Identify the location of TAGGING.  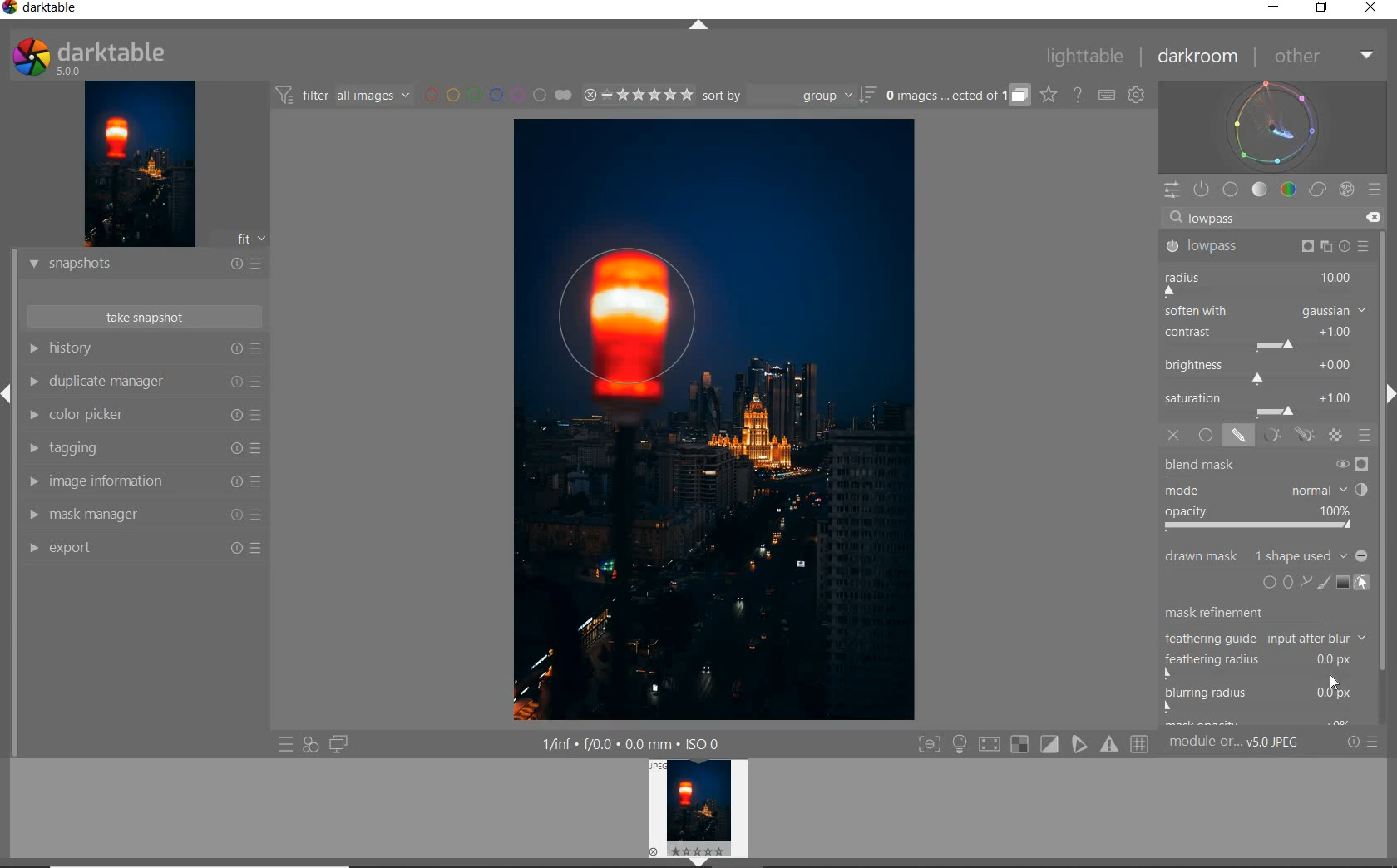
(144, 450).